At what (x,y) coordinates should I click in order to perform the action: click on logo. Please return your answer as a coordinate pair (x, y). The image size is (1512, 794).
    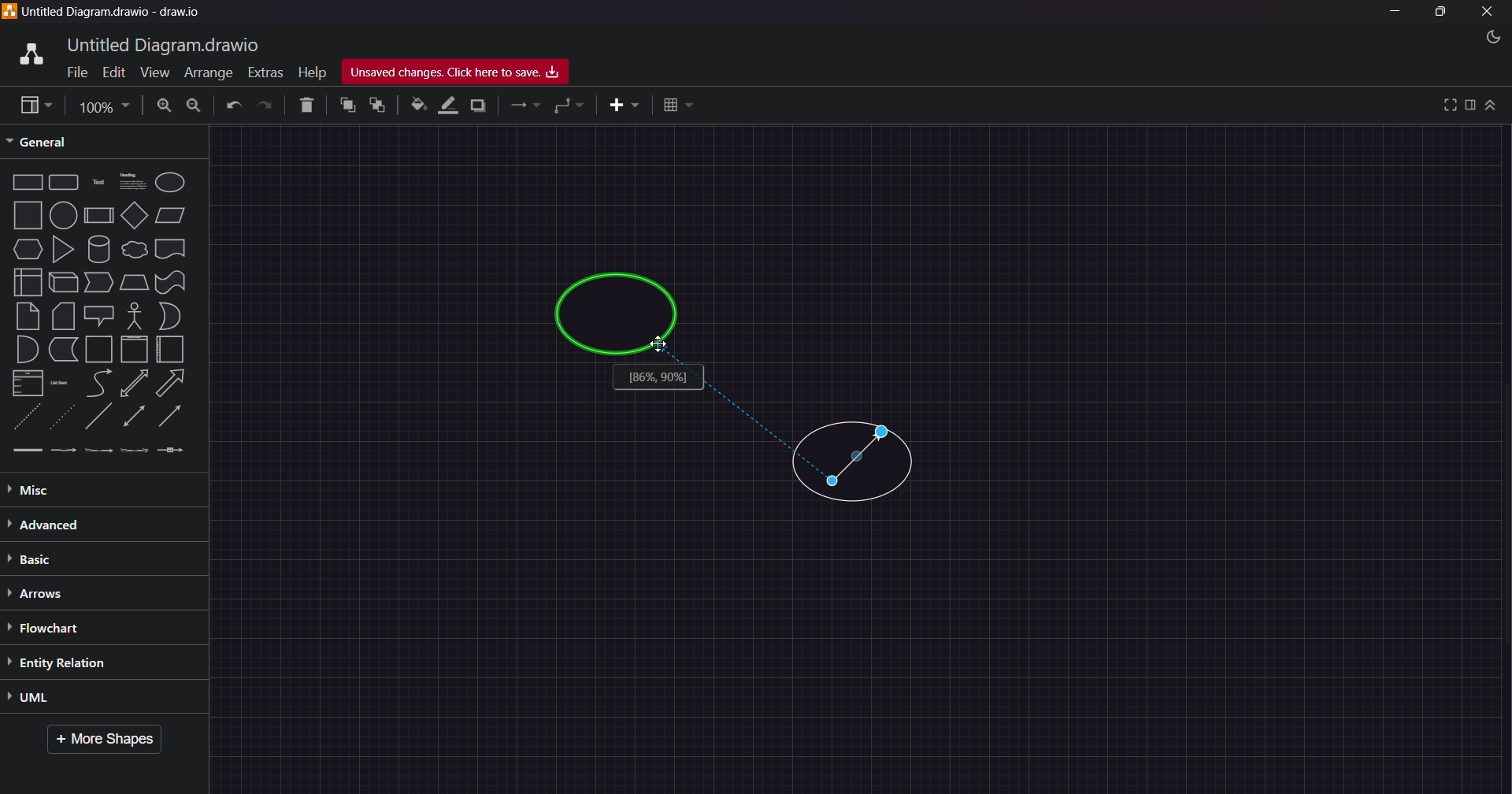
    Looking at the image, I should click on (28, 52).